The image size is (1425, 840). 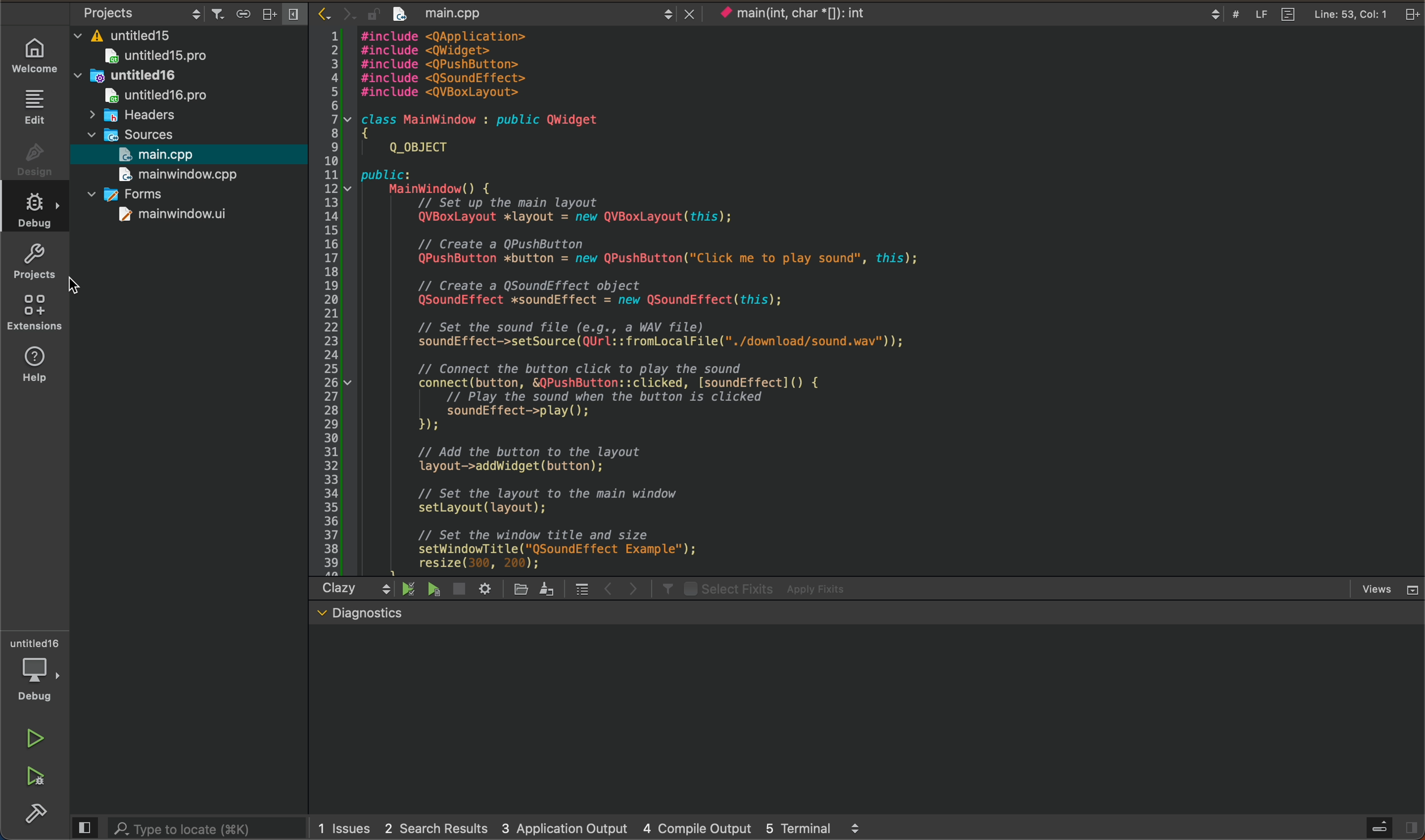 I want to click on logs, so click(x=593, y=829).